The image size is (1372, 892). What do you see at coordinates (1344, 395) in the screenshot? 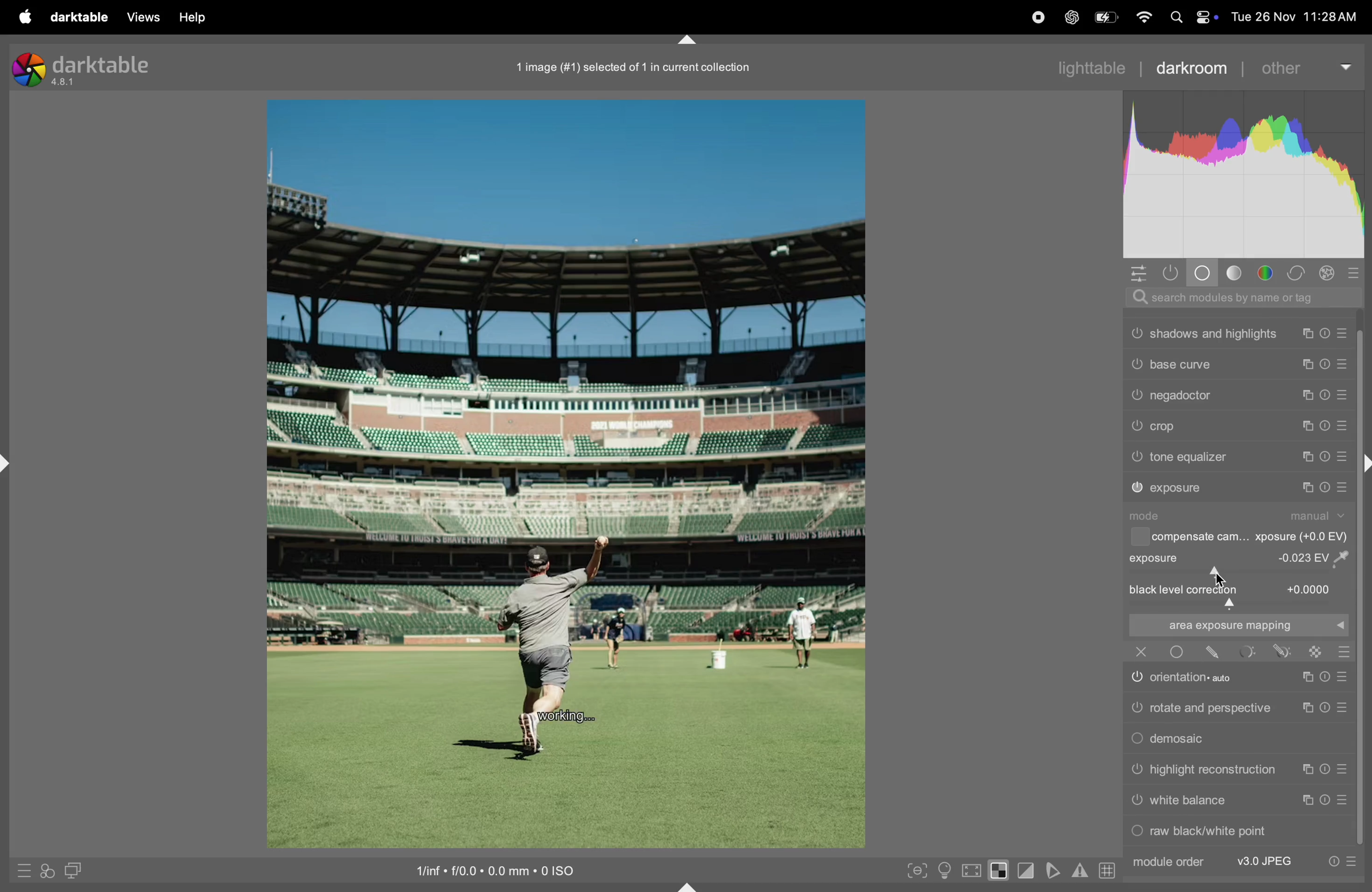
I see `Presets ` at bounding box center [1344, 395].